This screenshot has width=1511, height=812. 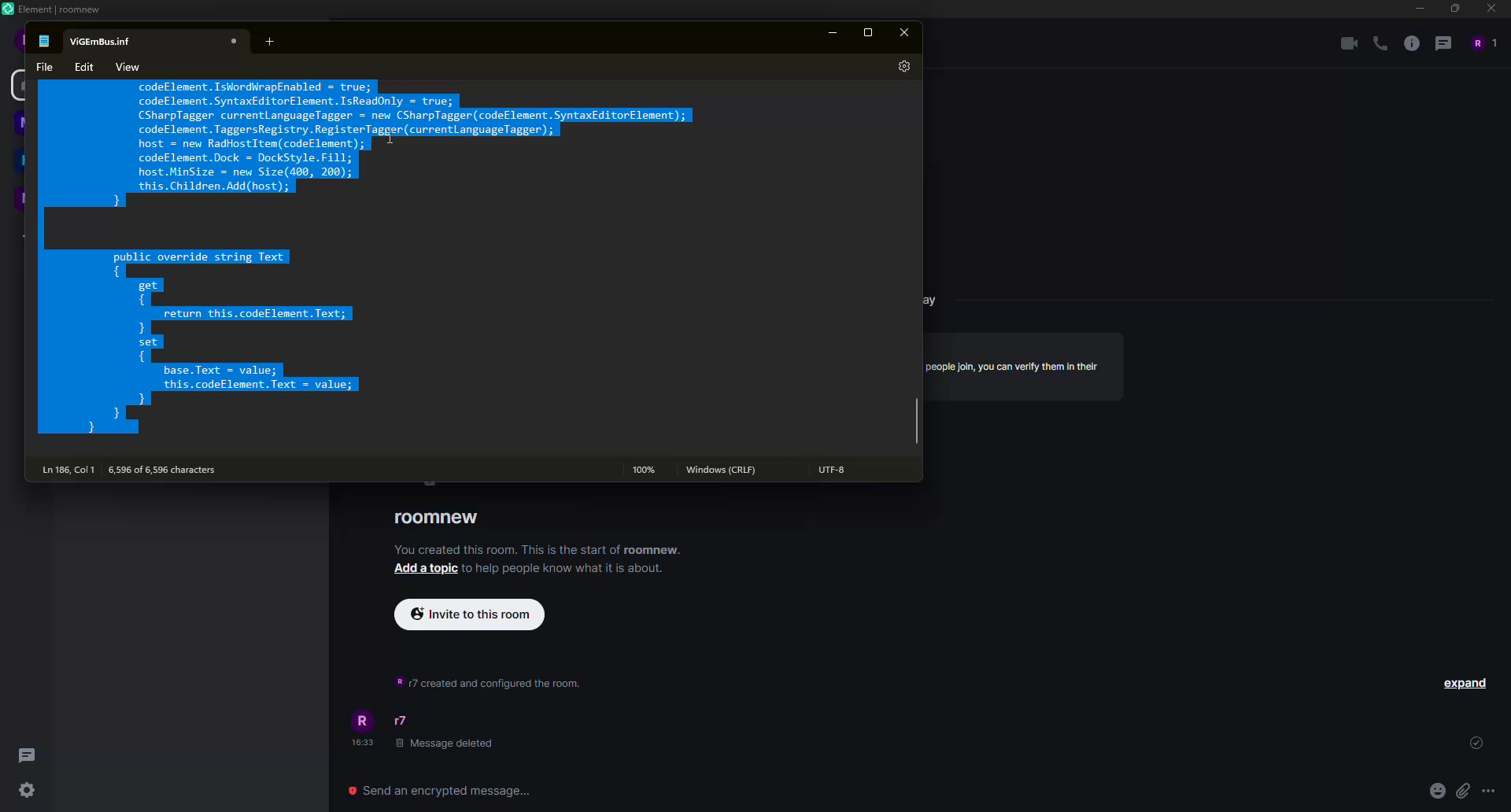 I want to click on cursor, so click(x=392, y=144).